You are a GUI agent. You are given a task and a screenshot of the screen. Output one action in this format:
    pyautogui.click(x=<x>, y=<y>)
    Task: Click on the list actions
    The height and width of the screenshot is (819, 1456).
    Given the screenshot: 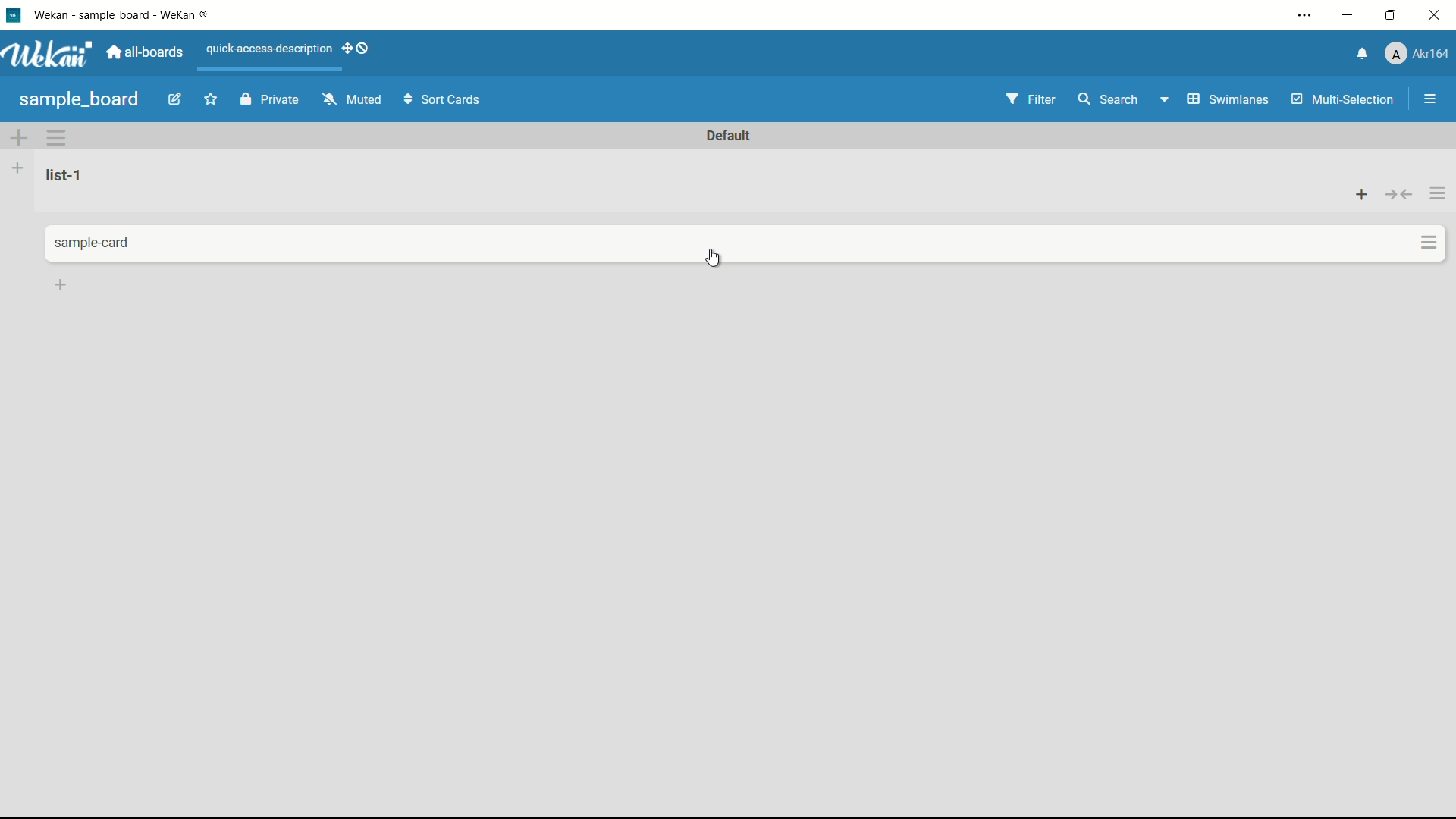 What is the action you would take?
    pyautogui.click(x=1439, y=193)
    